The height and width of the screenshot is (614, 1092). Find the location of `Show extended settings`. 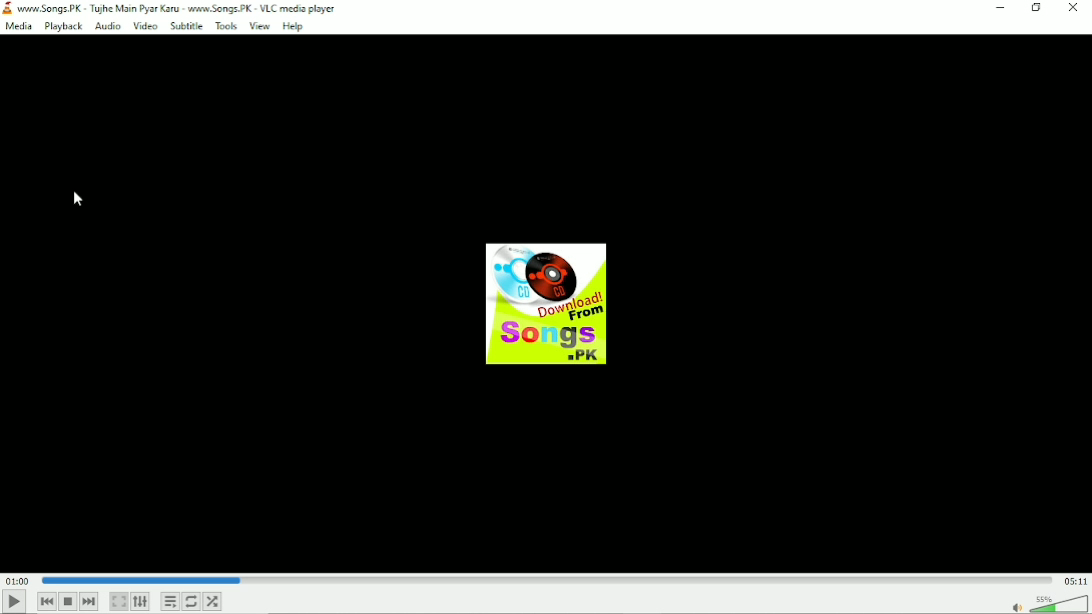

Show extended settings is located at coordinates (140, 602).